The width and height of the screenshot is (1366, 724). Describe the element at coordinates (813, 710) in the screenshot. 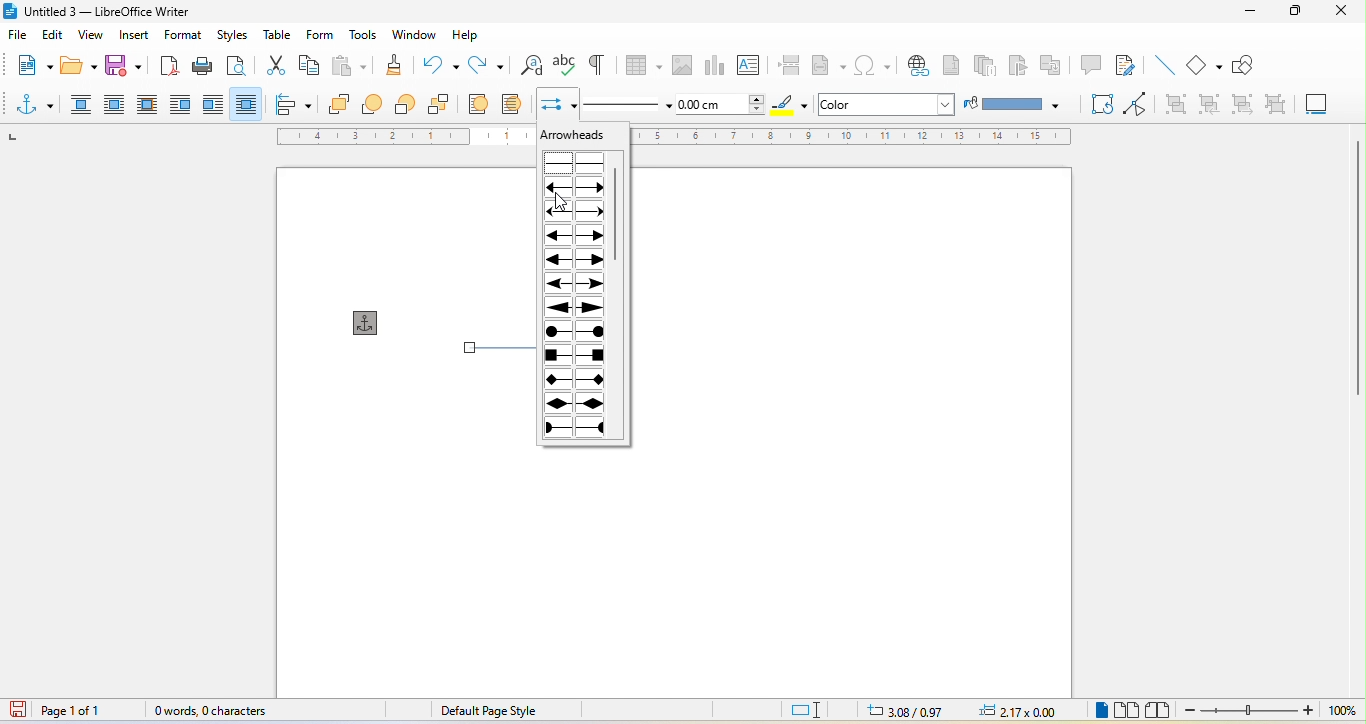

I see `standard selection` at that location.